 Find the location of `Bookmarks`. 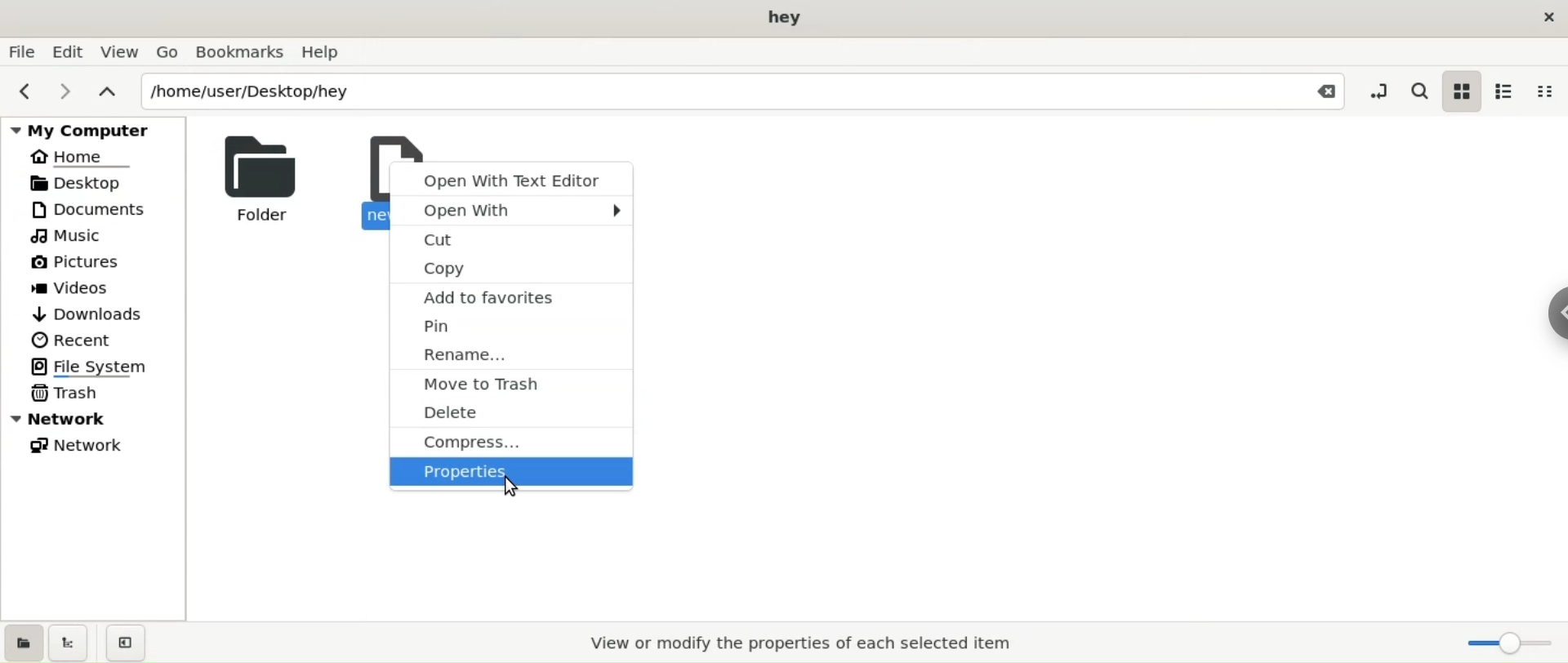

Bookmarks is located at coordinates (239, 51).